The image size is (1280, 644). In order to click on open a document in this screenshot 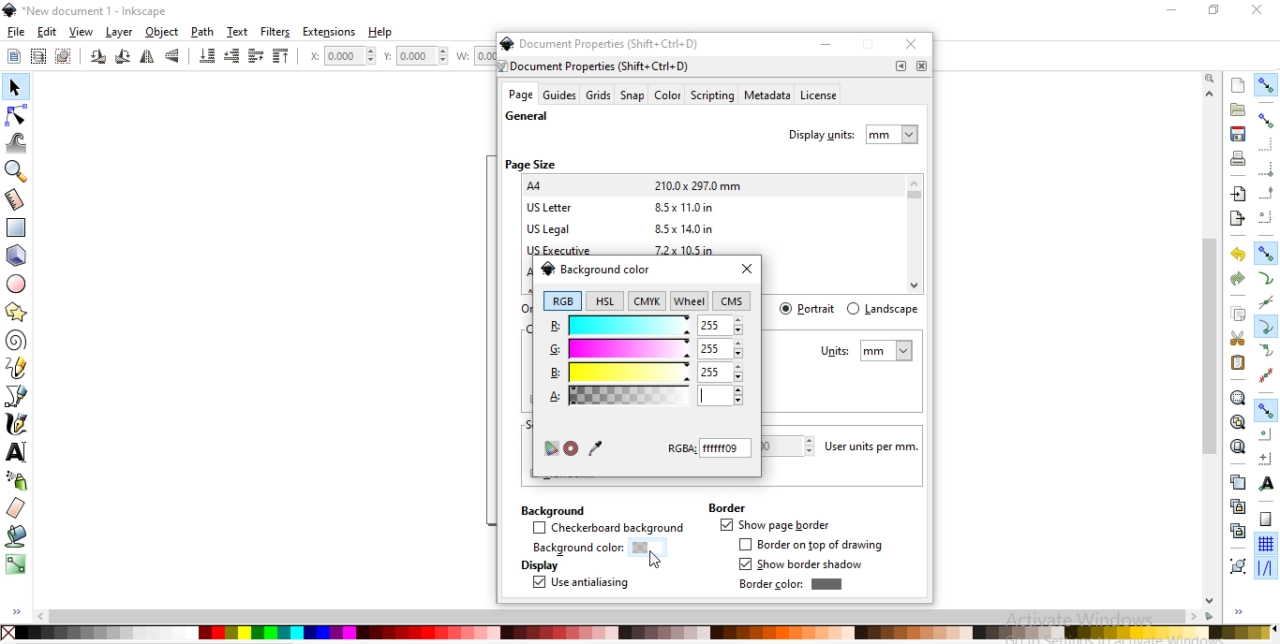, I will do `click(1236, 109)`.